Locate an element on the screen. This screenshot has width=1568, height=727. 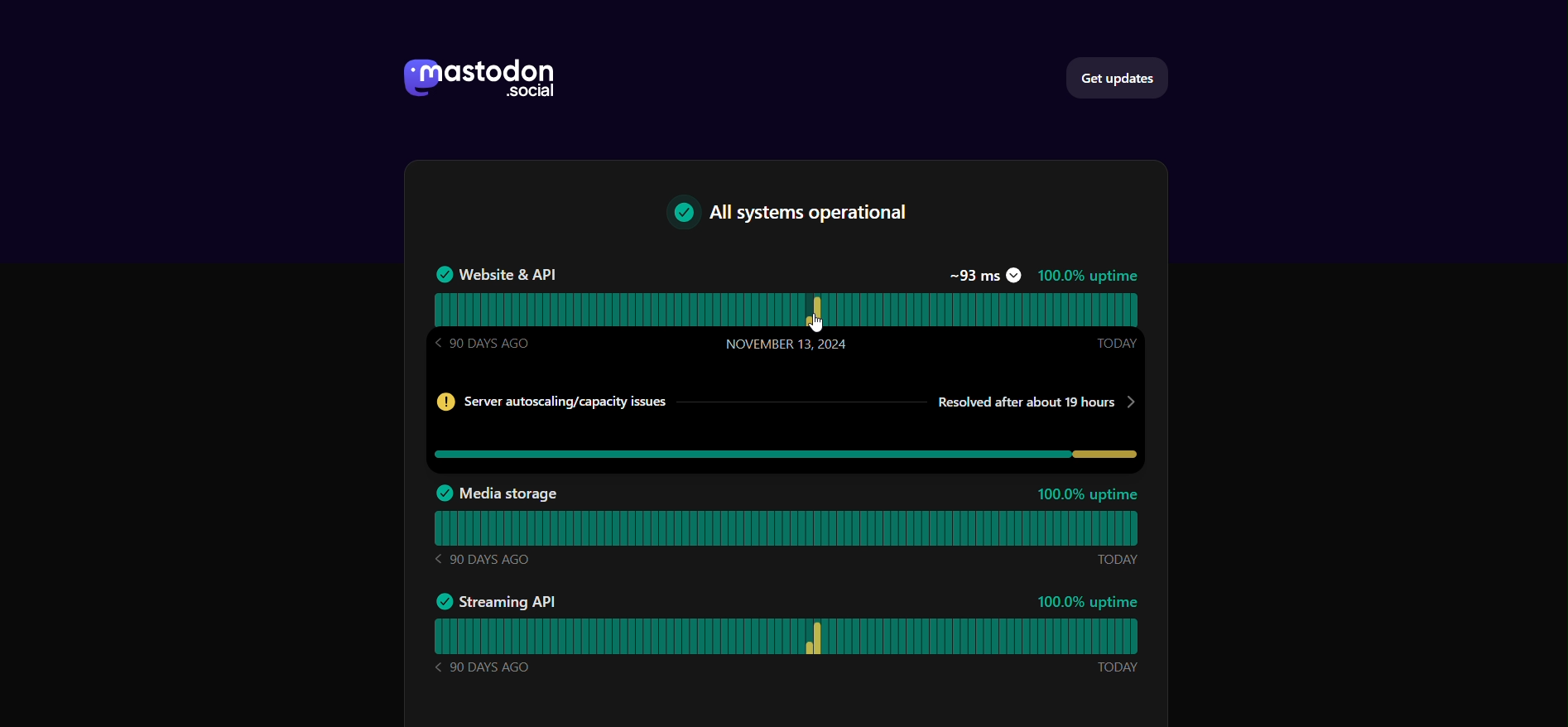
get updates is located at coordinates (1121, 77).